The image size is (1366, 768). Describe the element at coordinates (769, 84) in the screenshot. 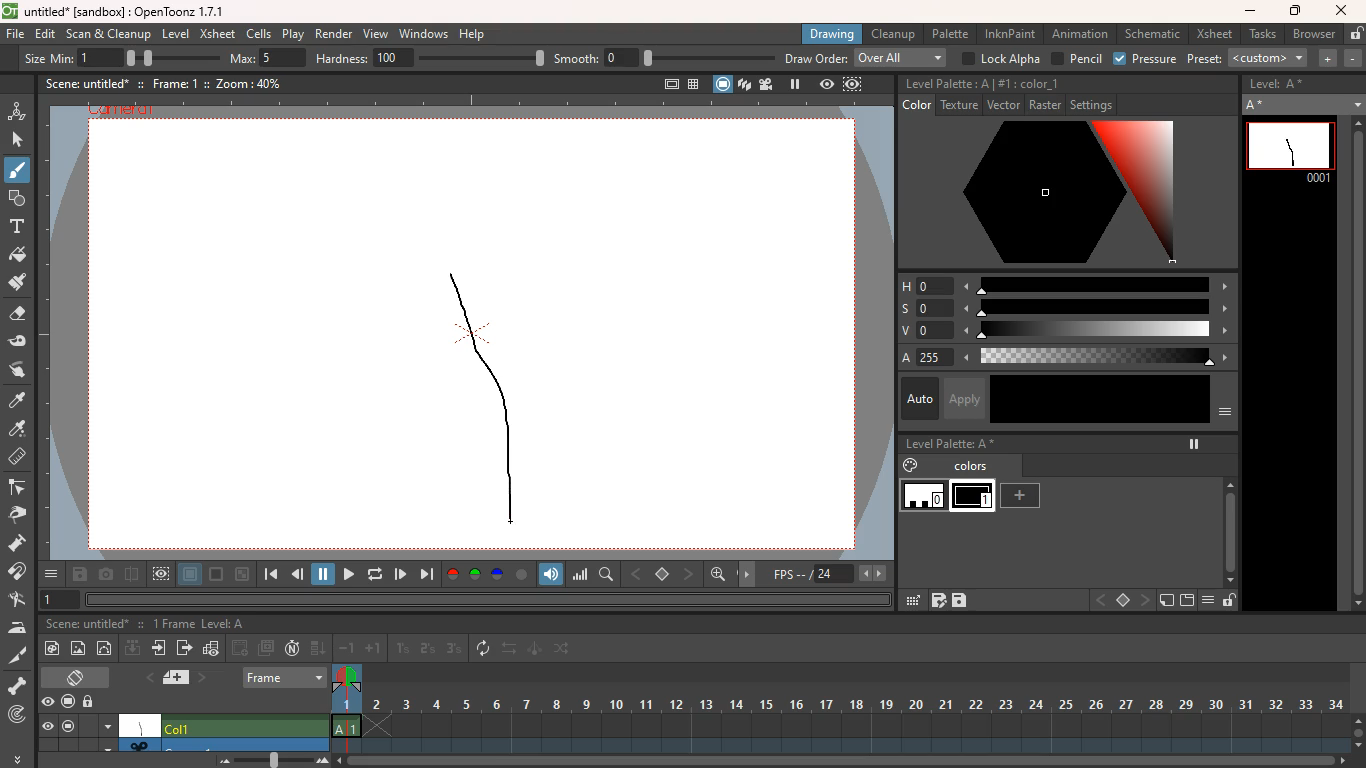

I see `film` at that location.